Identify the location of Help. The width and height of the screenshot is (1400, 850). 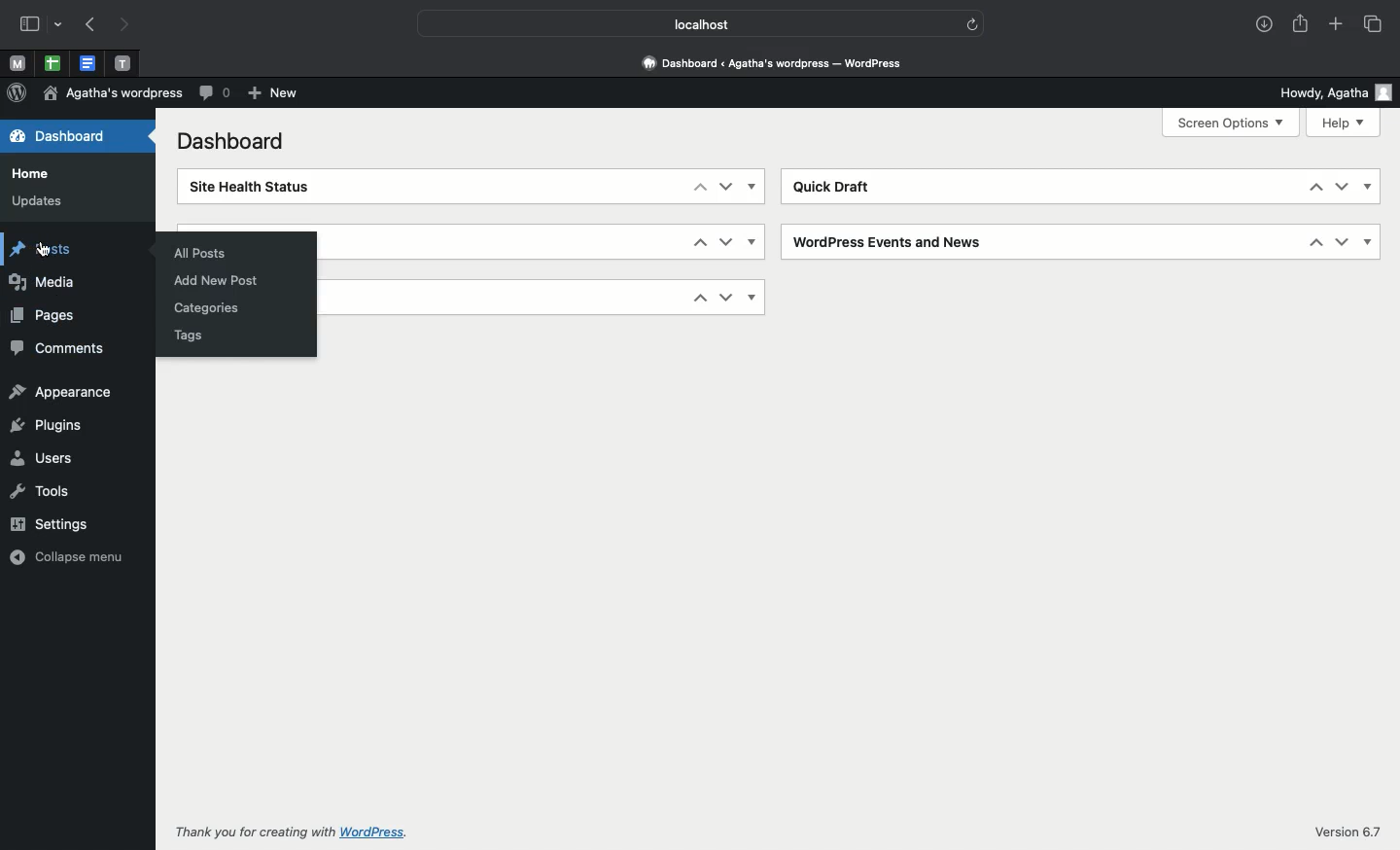
(1346, 124).